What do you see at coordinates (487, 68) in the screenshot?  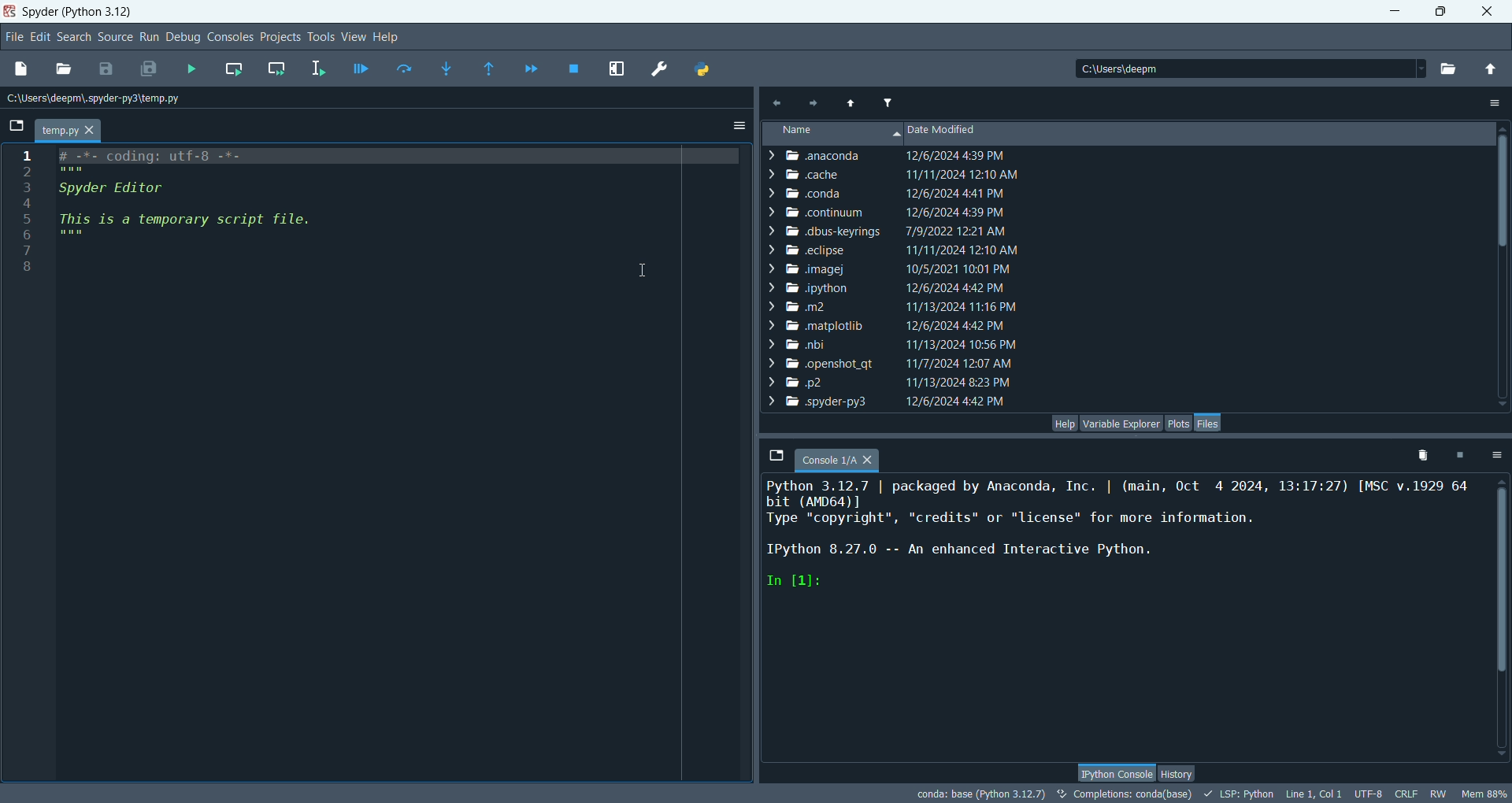 I see `run until current function returns` at bounding box center [487, 68].